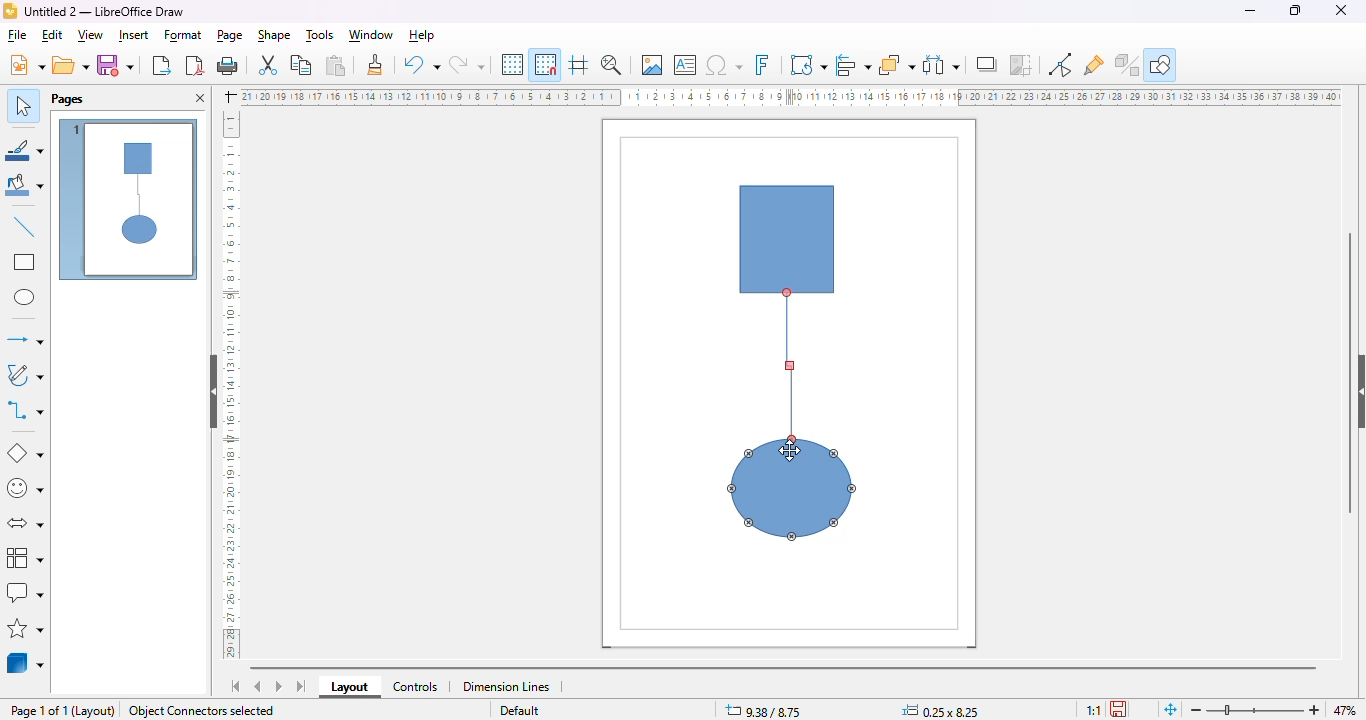  What do you see at coordinates (791, 96) in the screenshot?
I see `ruler` at bounding box center [791, 96].